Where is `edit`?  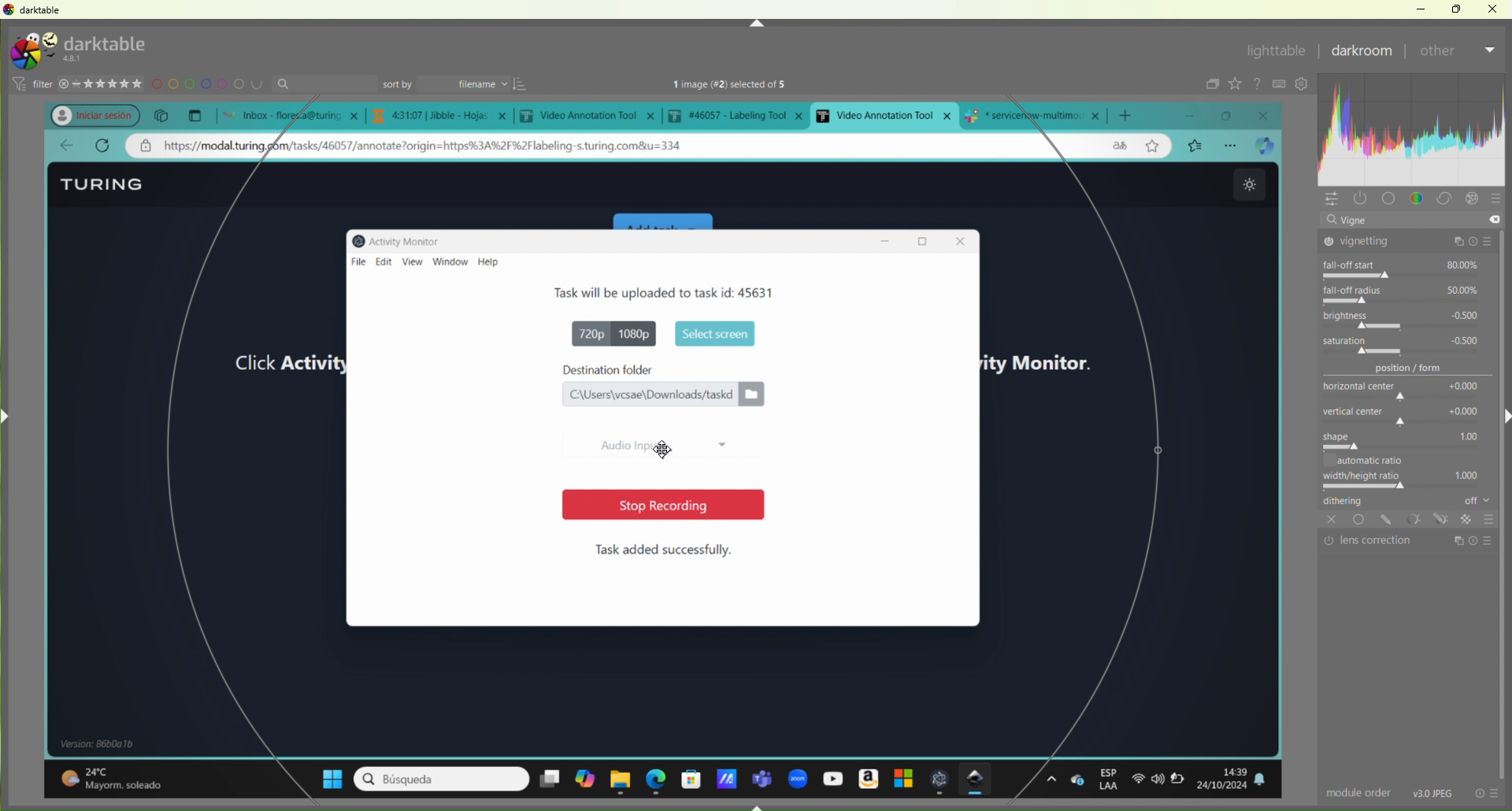
edit is located at coordinates (387, 259).